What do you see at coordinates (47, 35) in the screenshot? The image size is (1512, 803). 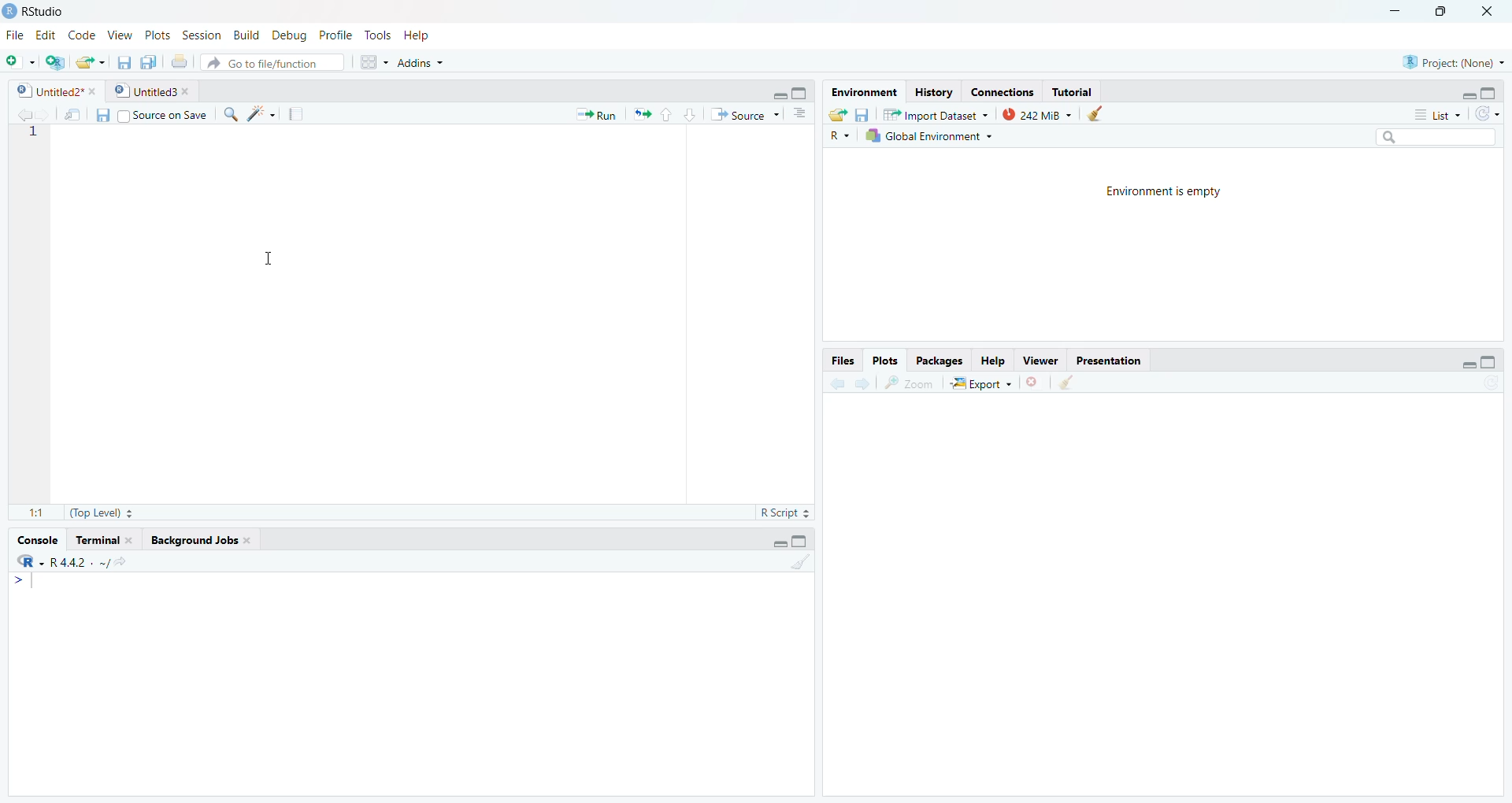 I see `Edit` at bounding box center [47, 35].